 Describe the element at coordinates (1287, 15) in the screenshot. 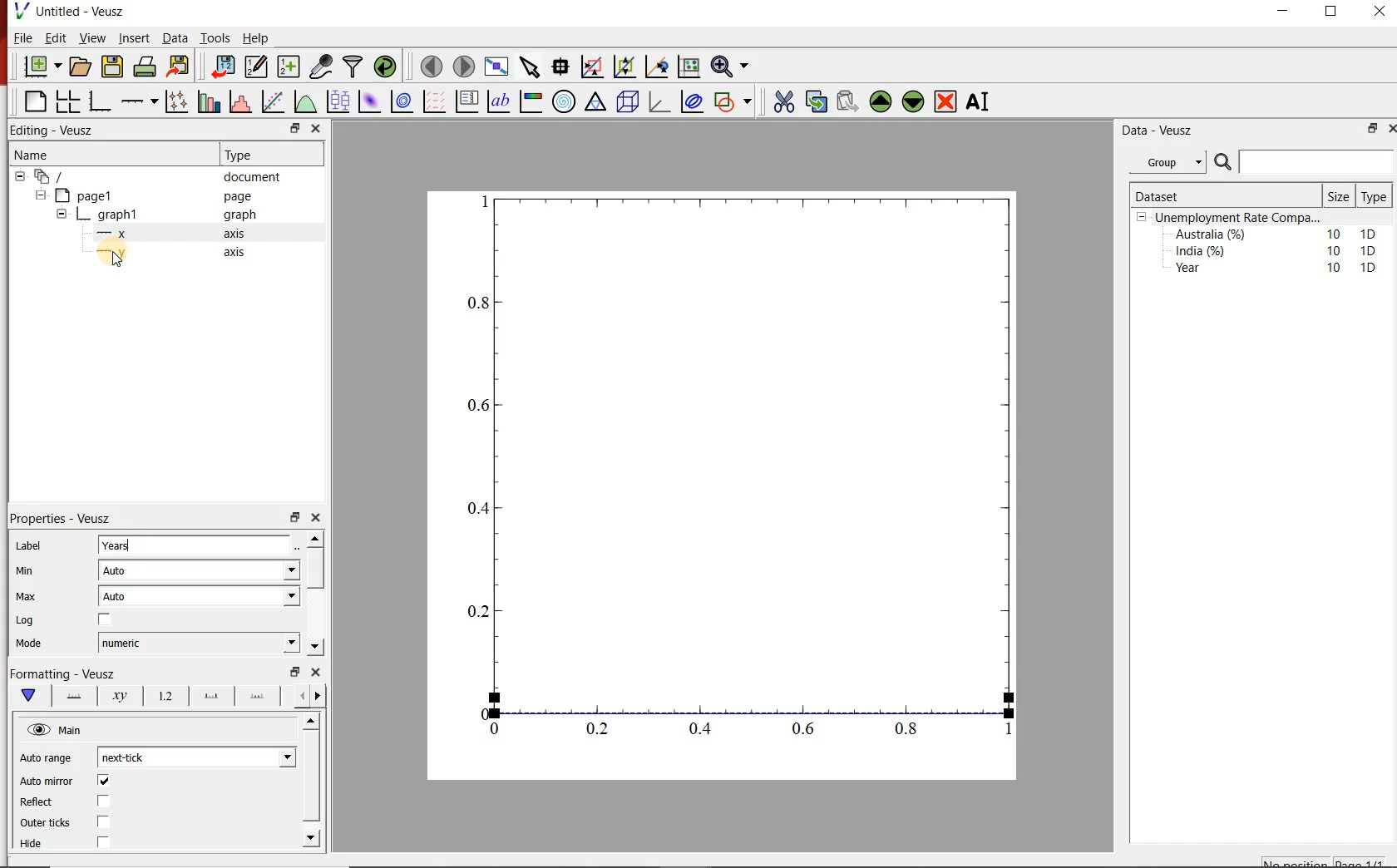

I see `minimise` at that location.